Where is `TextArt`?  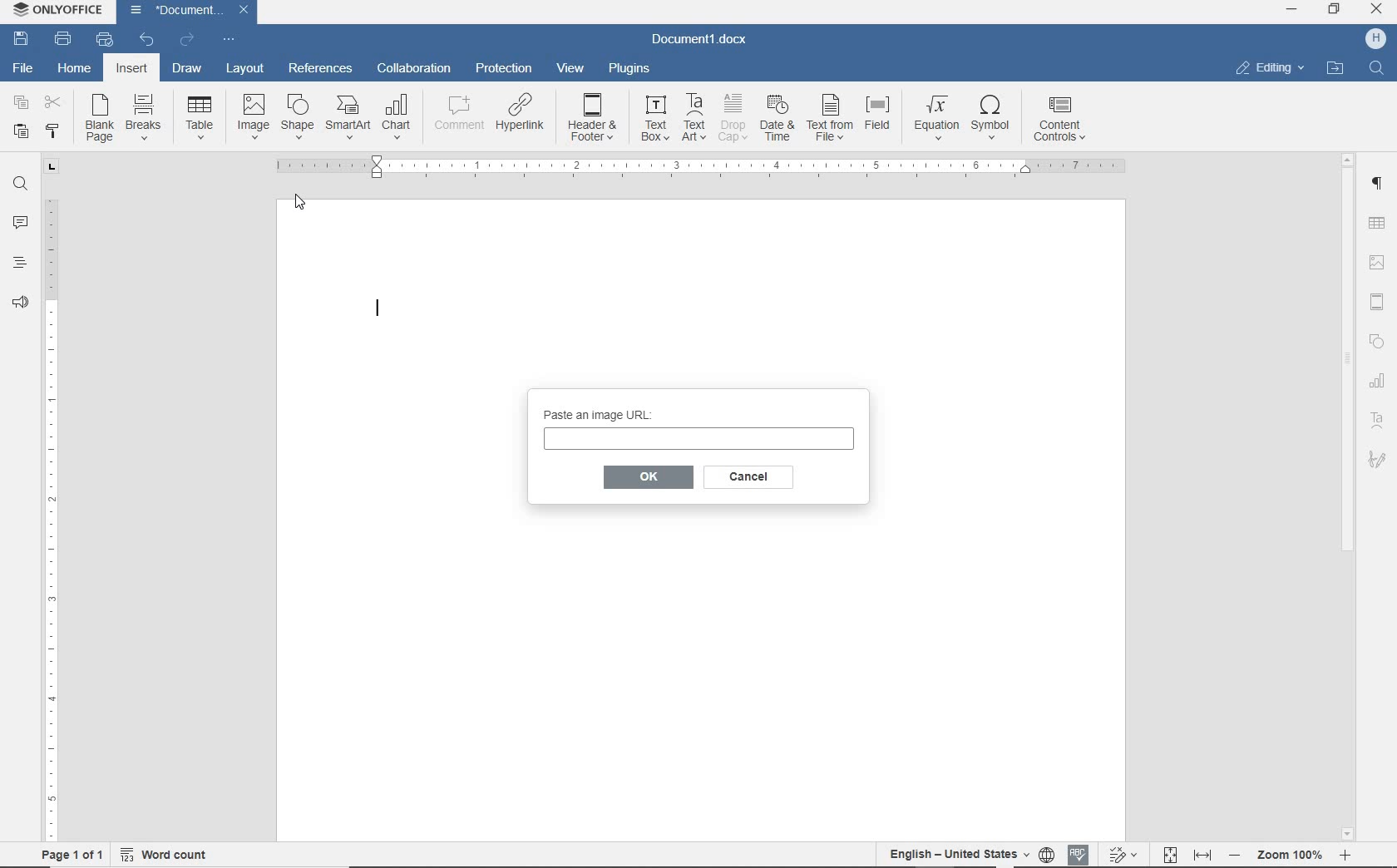
TextArt is located at coordinates (1380, 418).